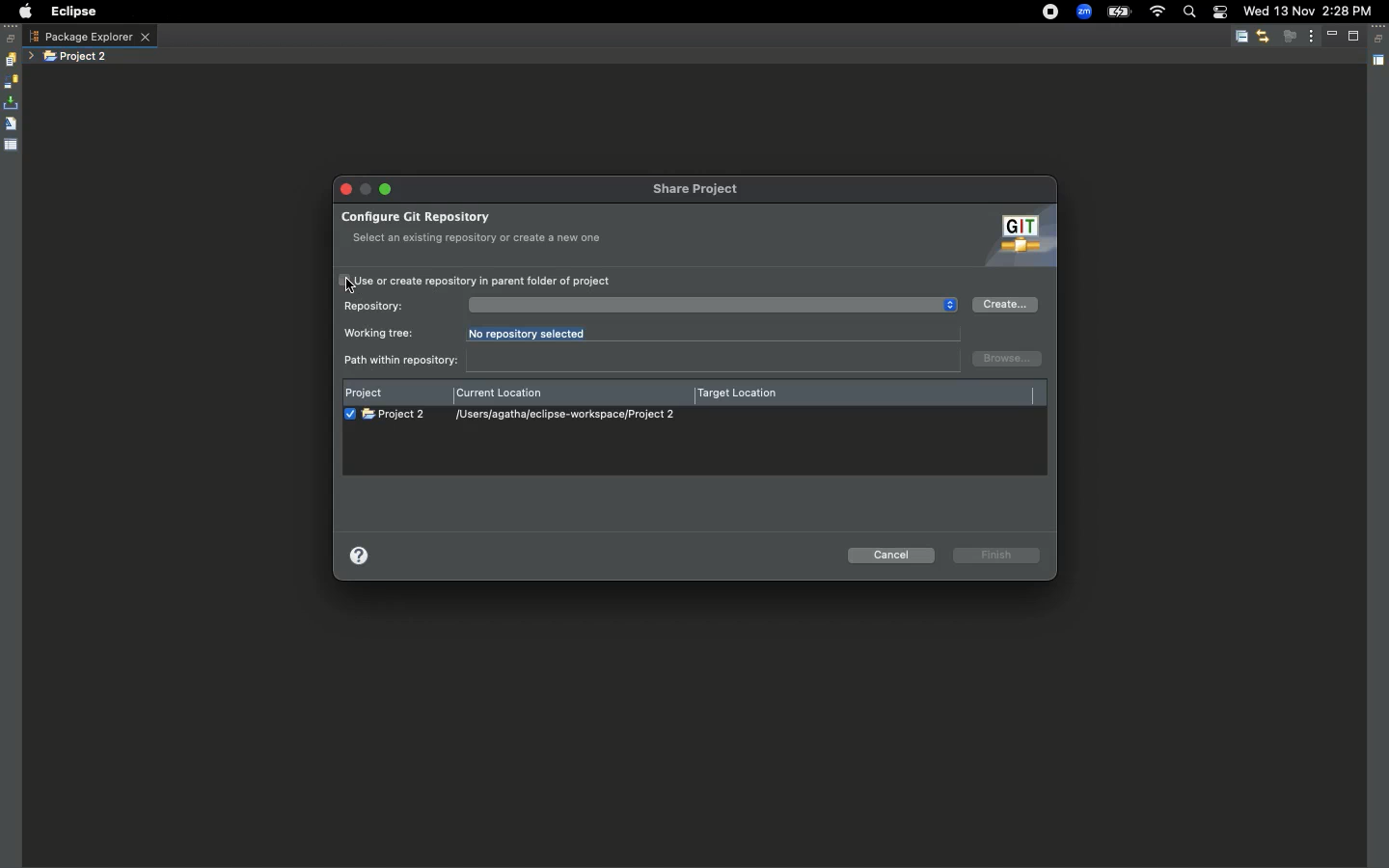  Describe the element at coordinates (10, 60) in the screenshot. I see `History` at that location.